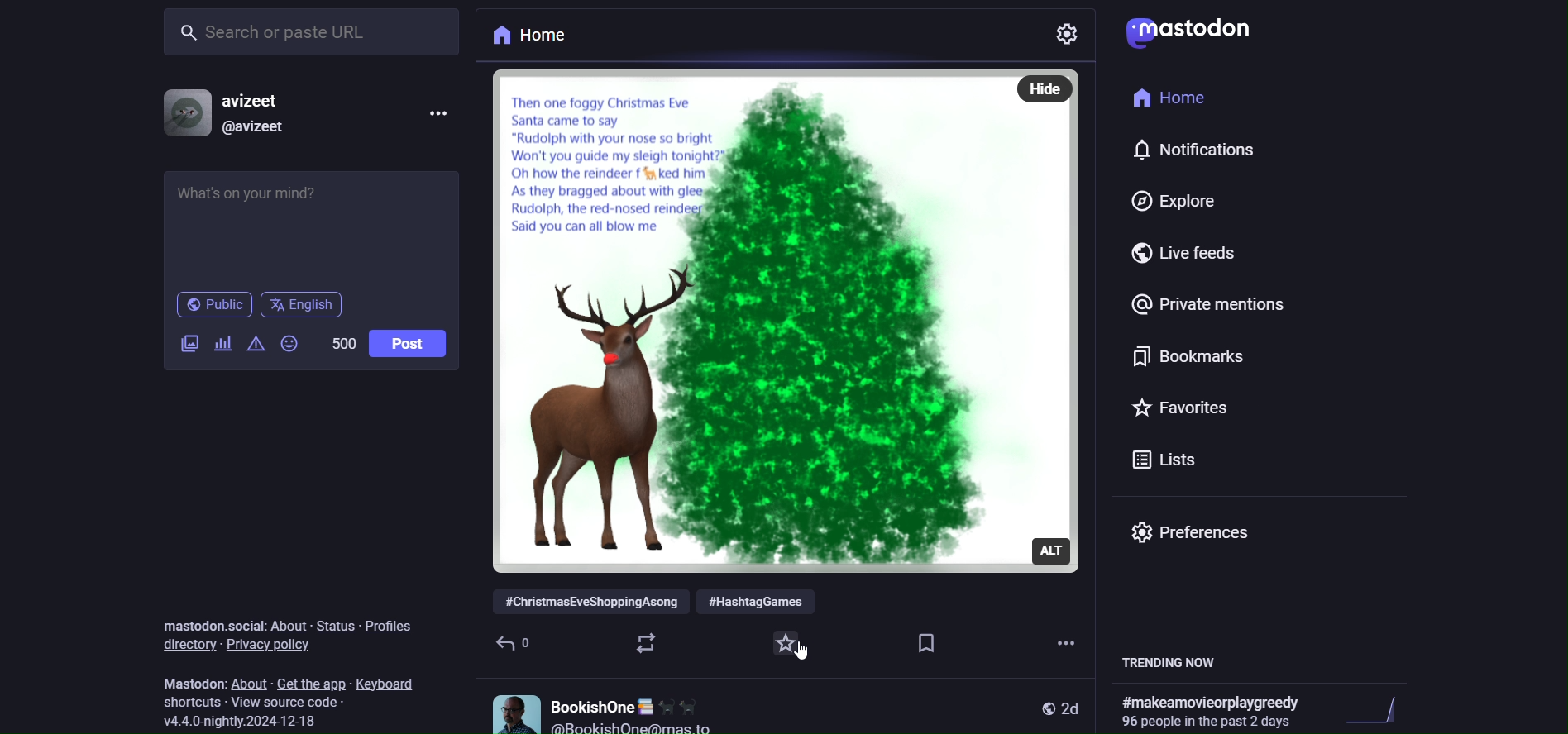  Describe the element at coordinates (644, 641) in the screenshot. I see `boost` at that location.